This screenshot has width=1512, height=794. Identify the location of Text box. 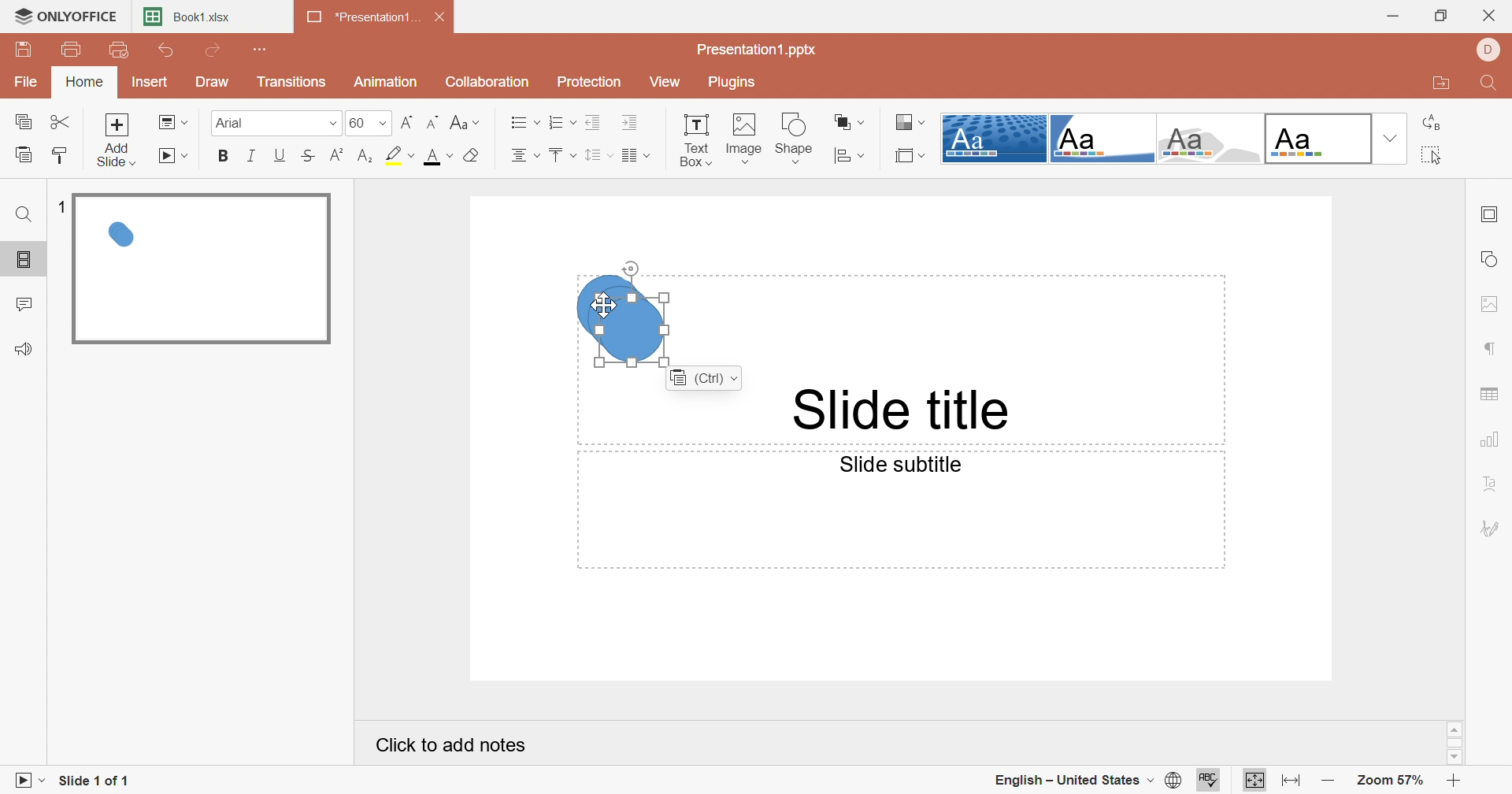
(695, 139).